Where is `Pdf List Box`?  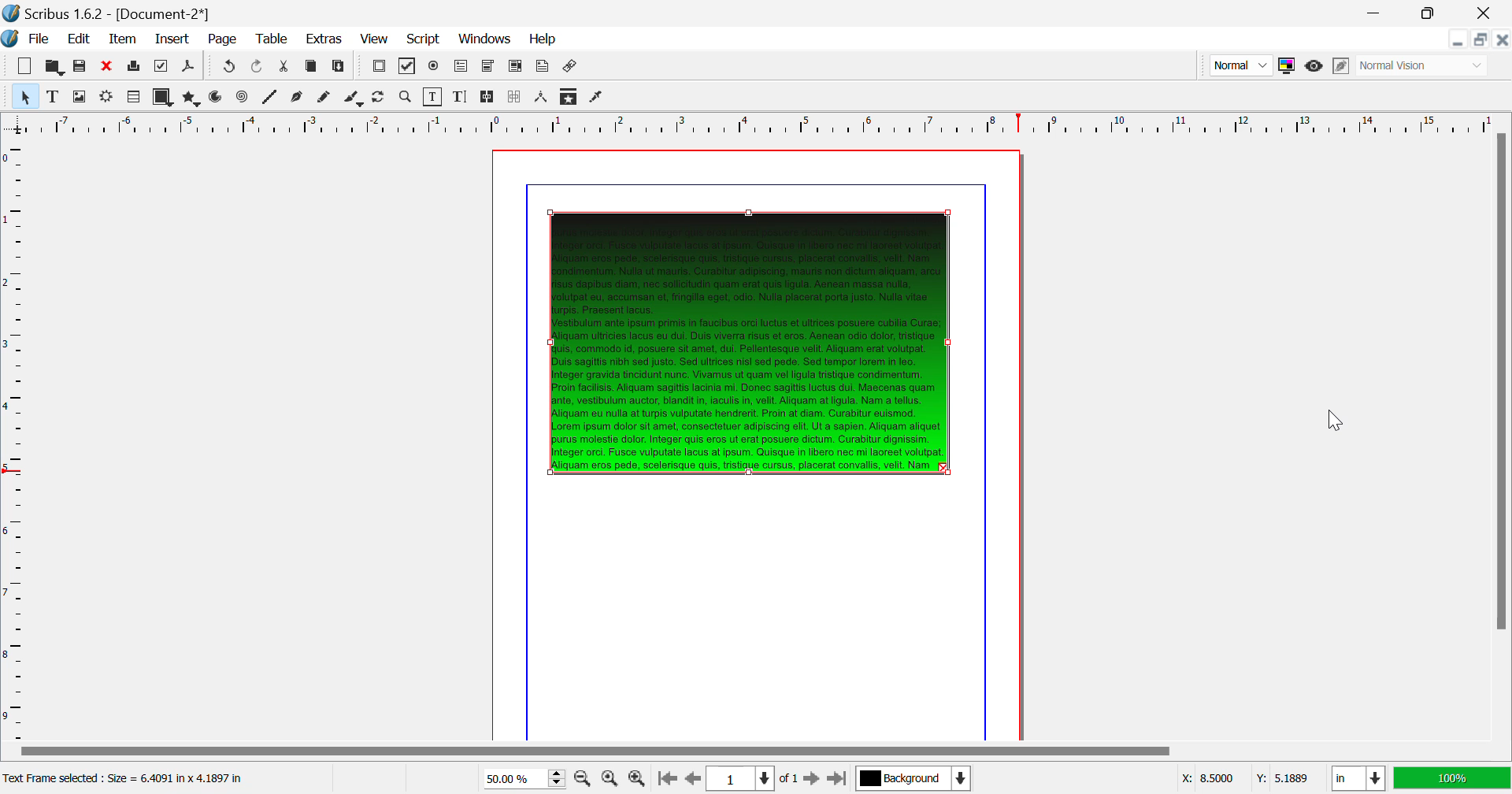 Pdf List Box is located at coordinates (515, 68).